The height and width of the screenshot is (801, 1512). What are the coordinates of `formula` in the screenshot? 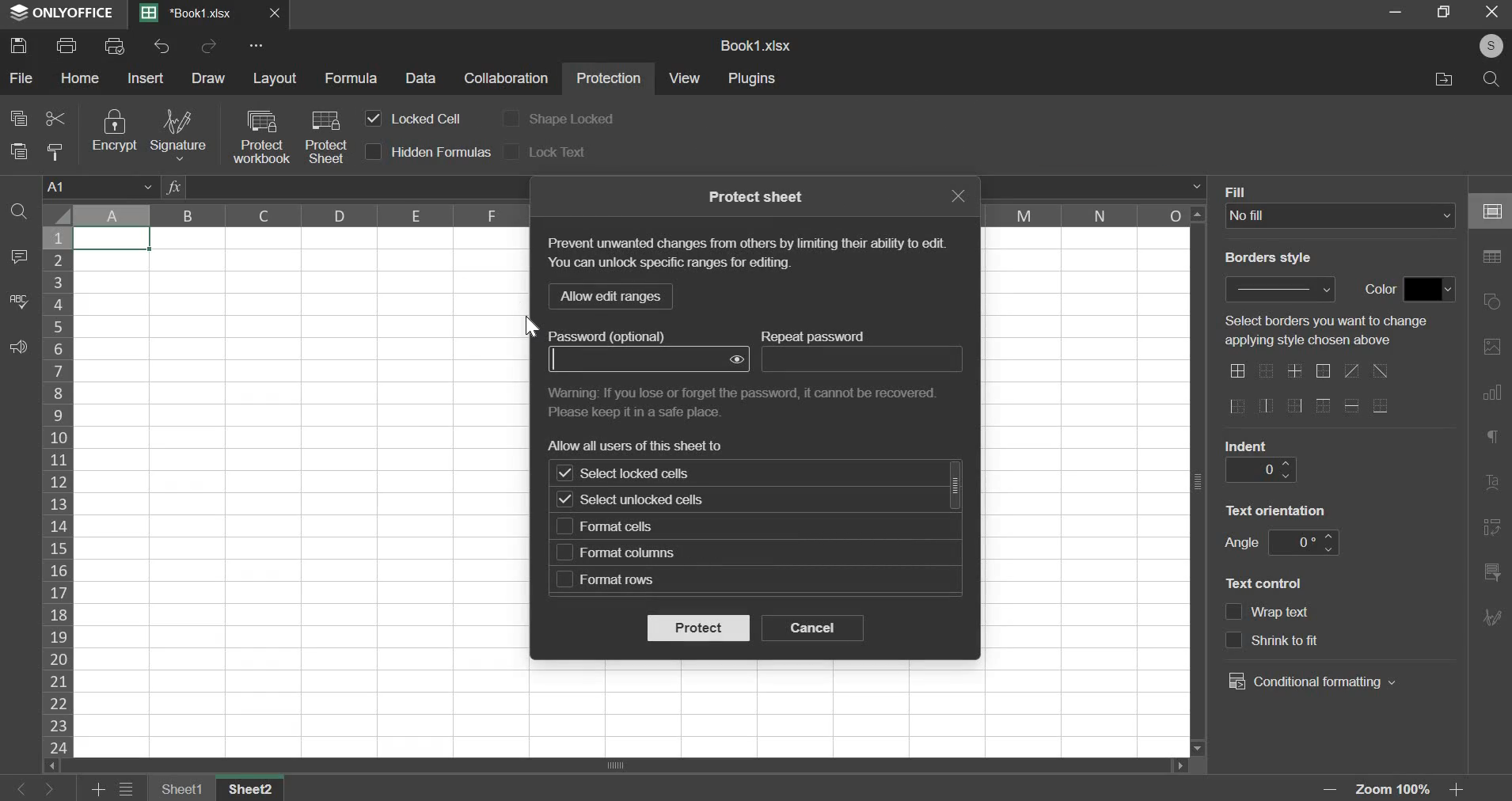 It's located at (351, 78).